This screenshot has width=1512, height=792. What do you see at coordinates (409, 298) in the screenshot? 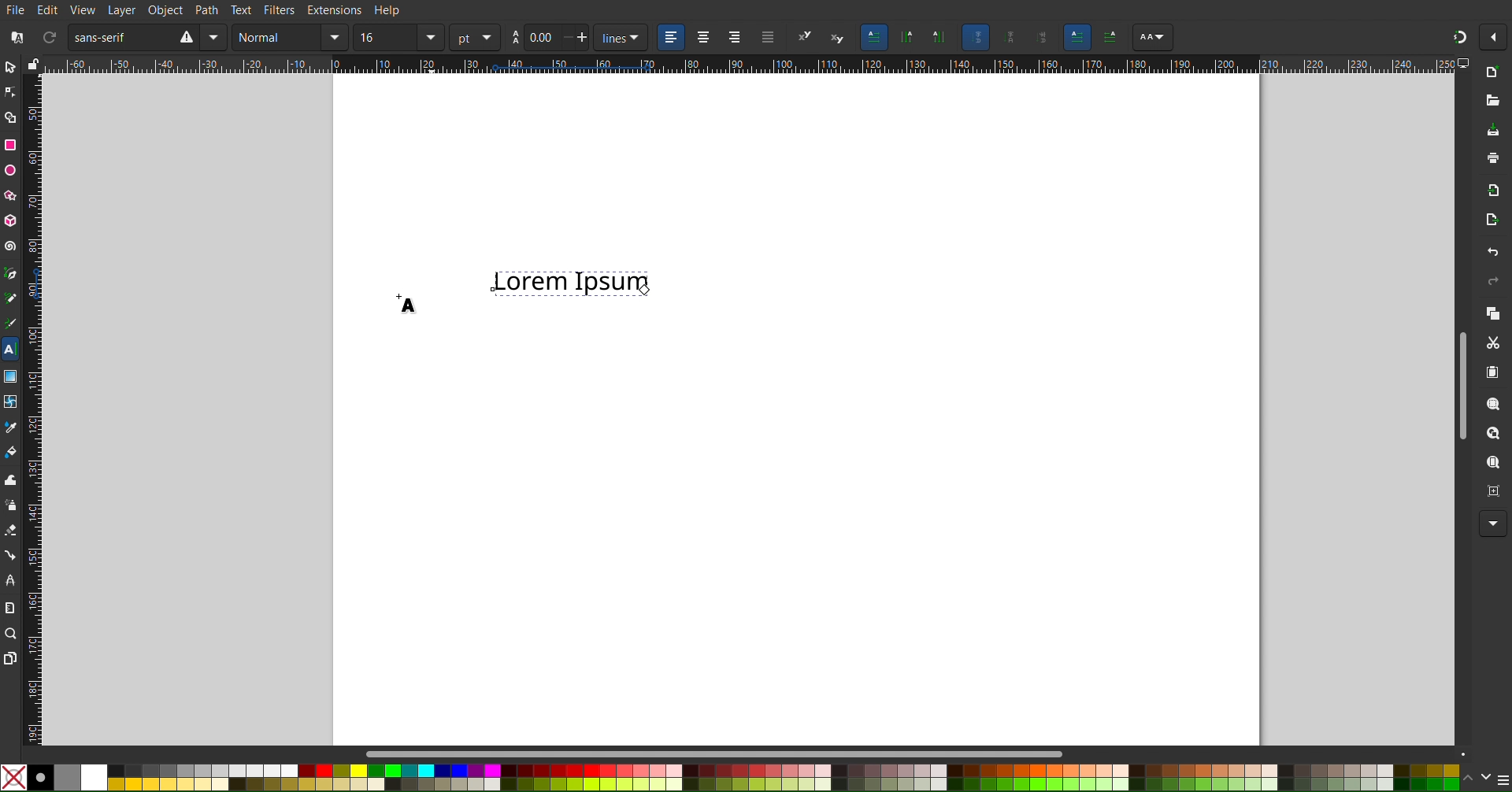
I see `Text Tool cursor` at bounding box center [409, 298].